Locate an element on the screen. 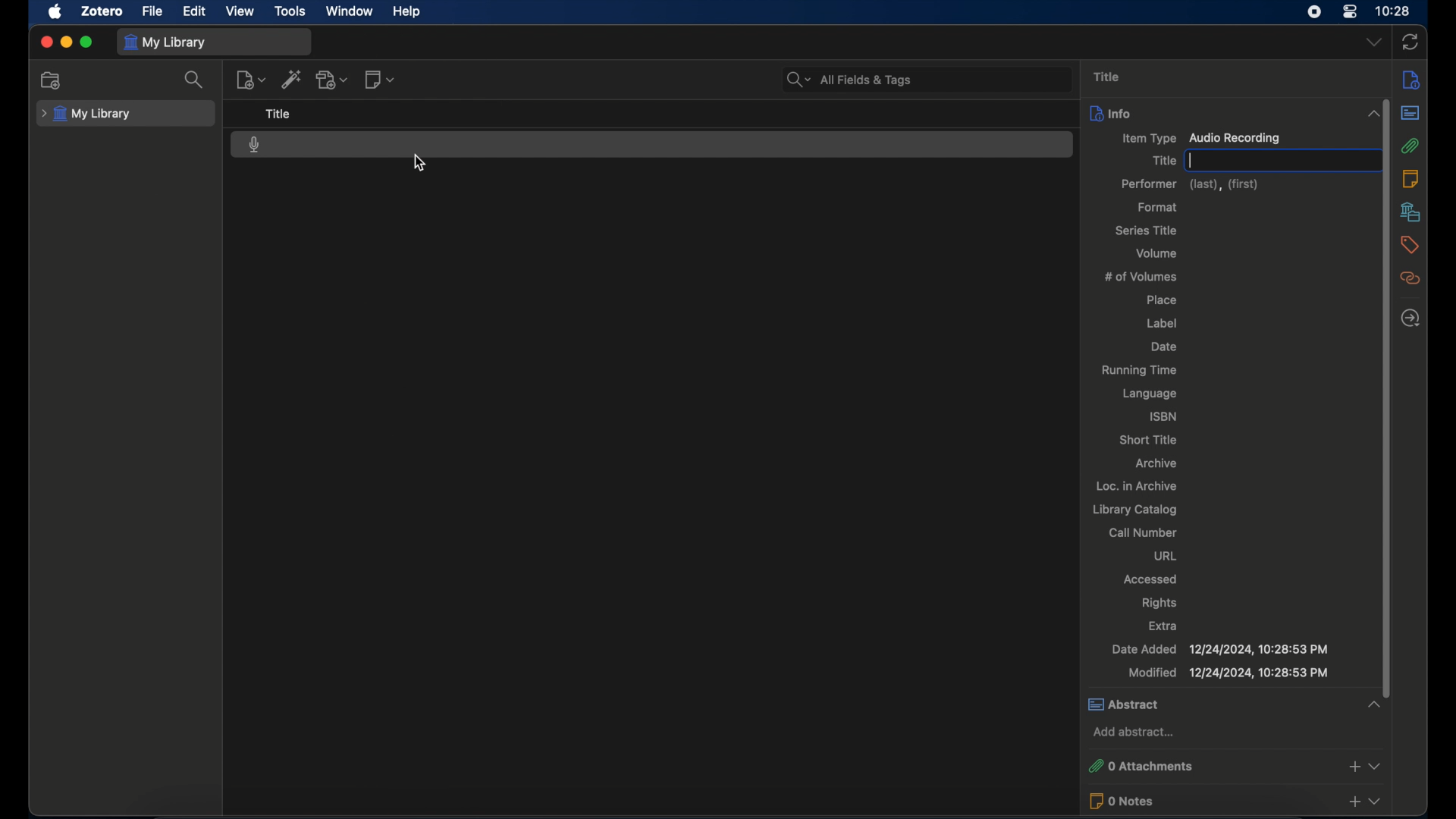 This screenshot has width=1456, height=819. no of volumes is located at coordinates (1144, 277).